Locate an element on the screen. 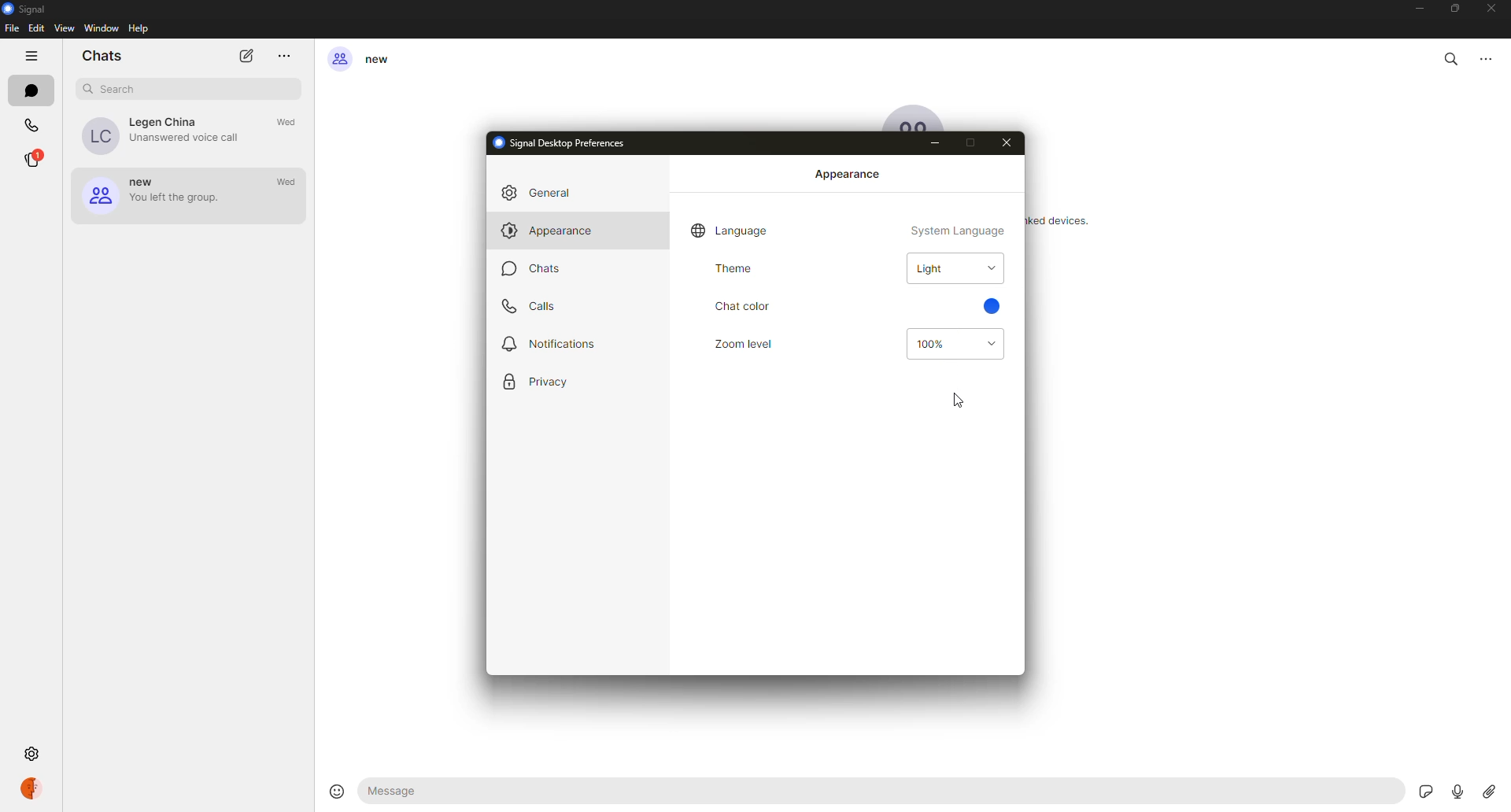 The width and height of the screenshot is (1511, 812). chat color is located at coordinates (739, 308).